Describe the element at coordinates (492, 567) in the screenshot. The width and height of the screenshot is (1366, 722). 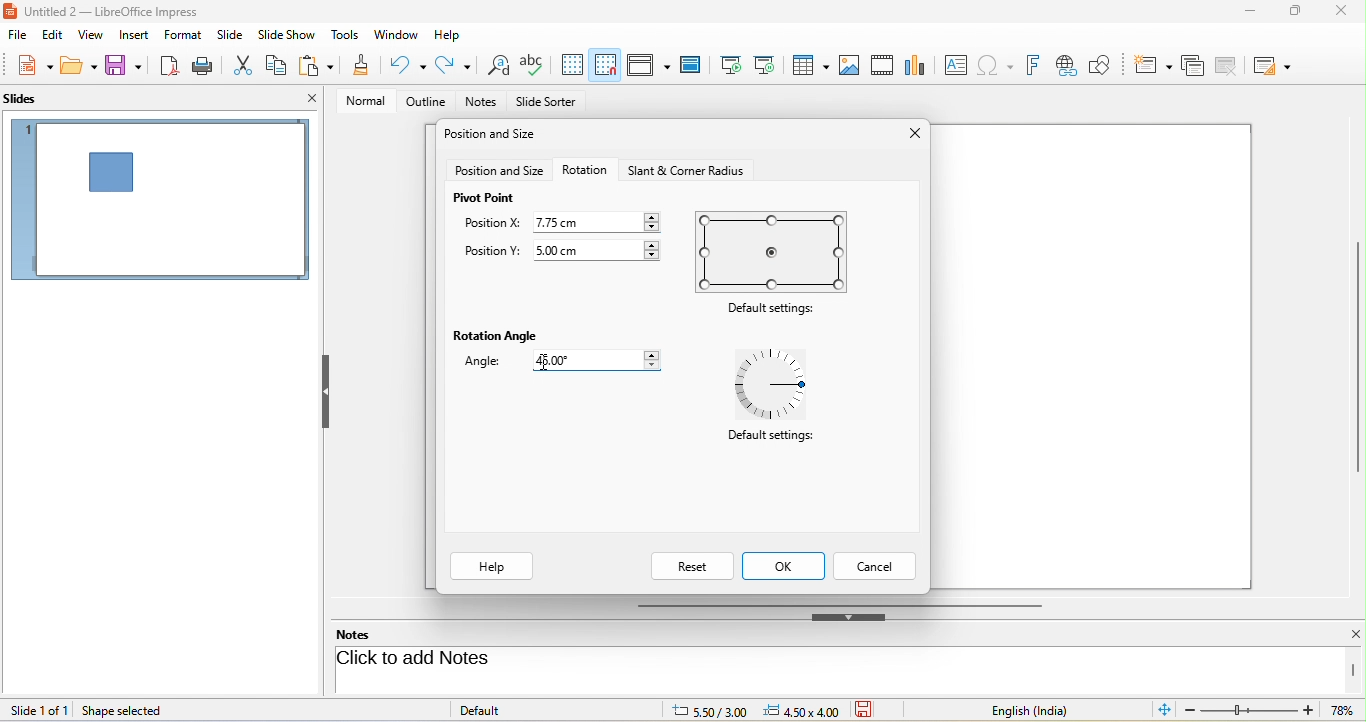
I see `help` at that location.